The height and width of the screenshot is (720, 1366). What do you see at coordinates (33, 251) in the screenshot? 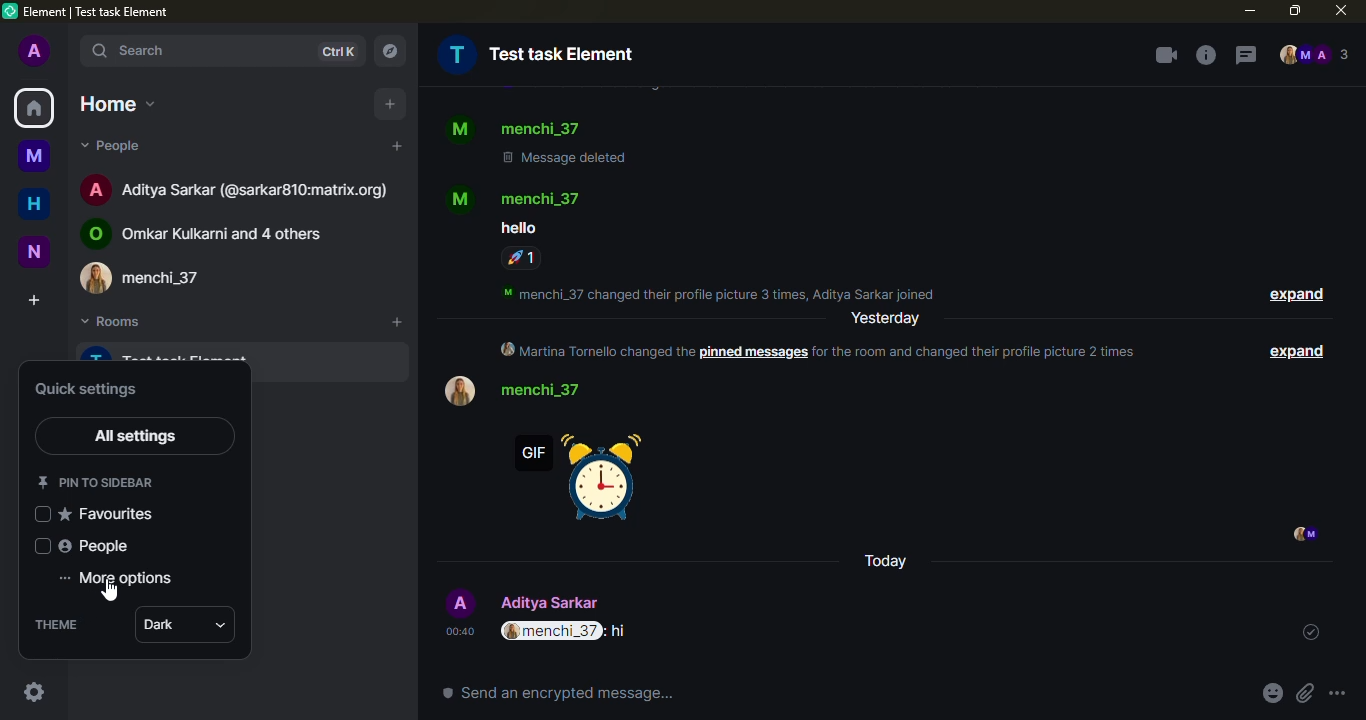
I see `new` at bounding box center [33, 251].